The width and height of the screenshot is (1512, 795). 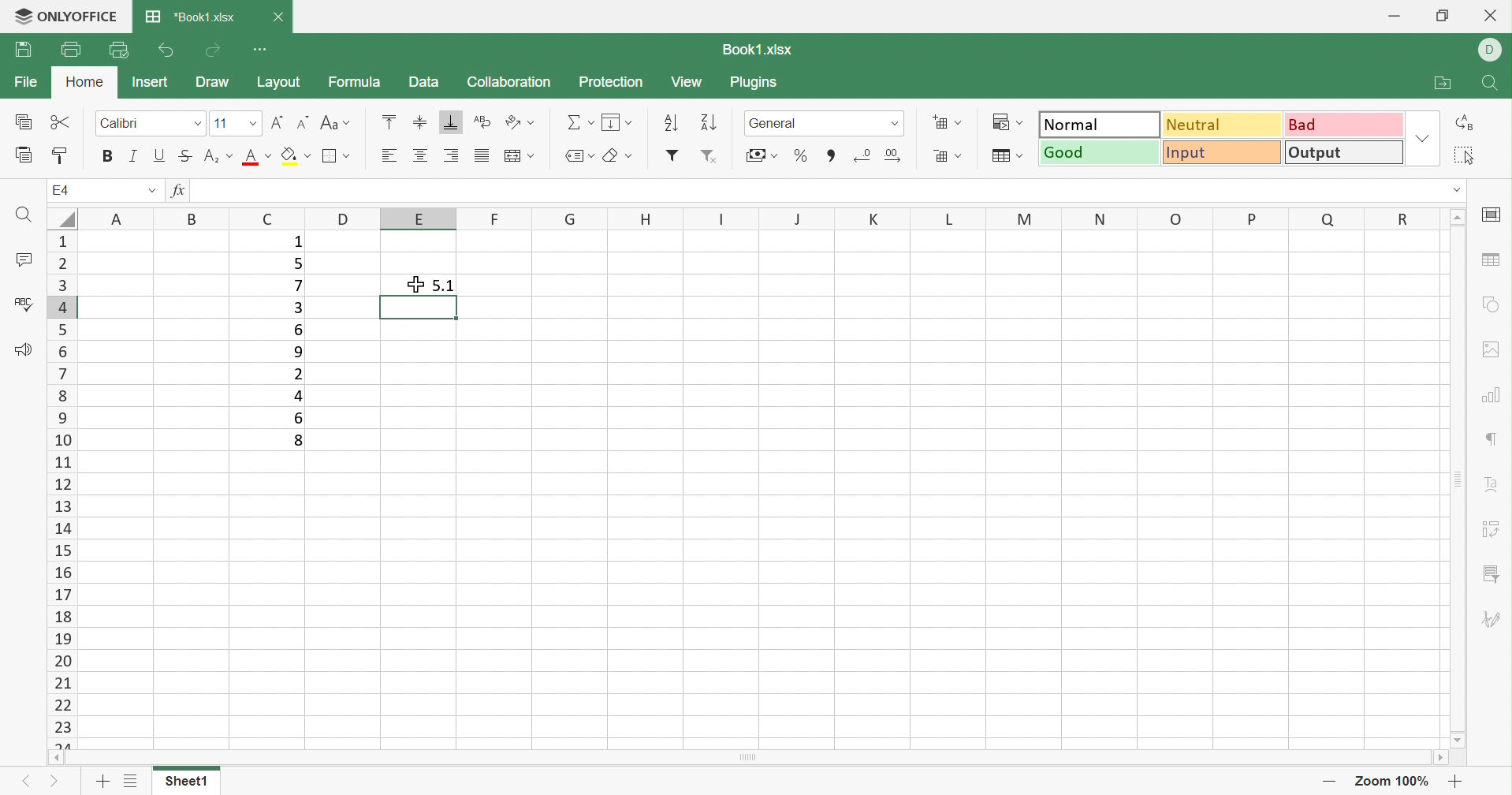 What do you see at coordinates (1491, 619) in the screenshot?
I see `Signature settings` at bounding box center [1491, 619].